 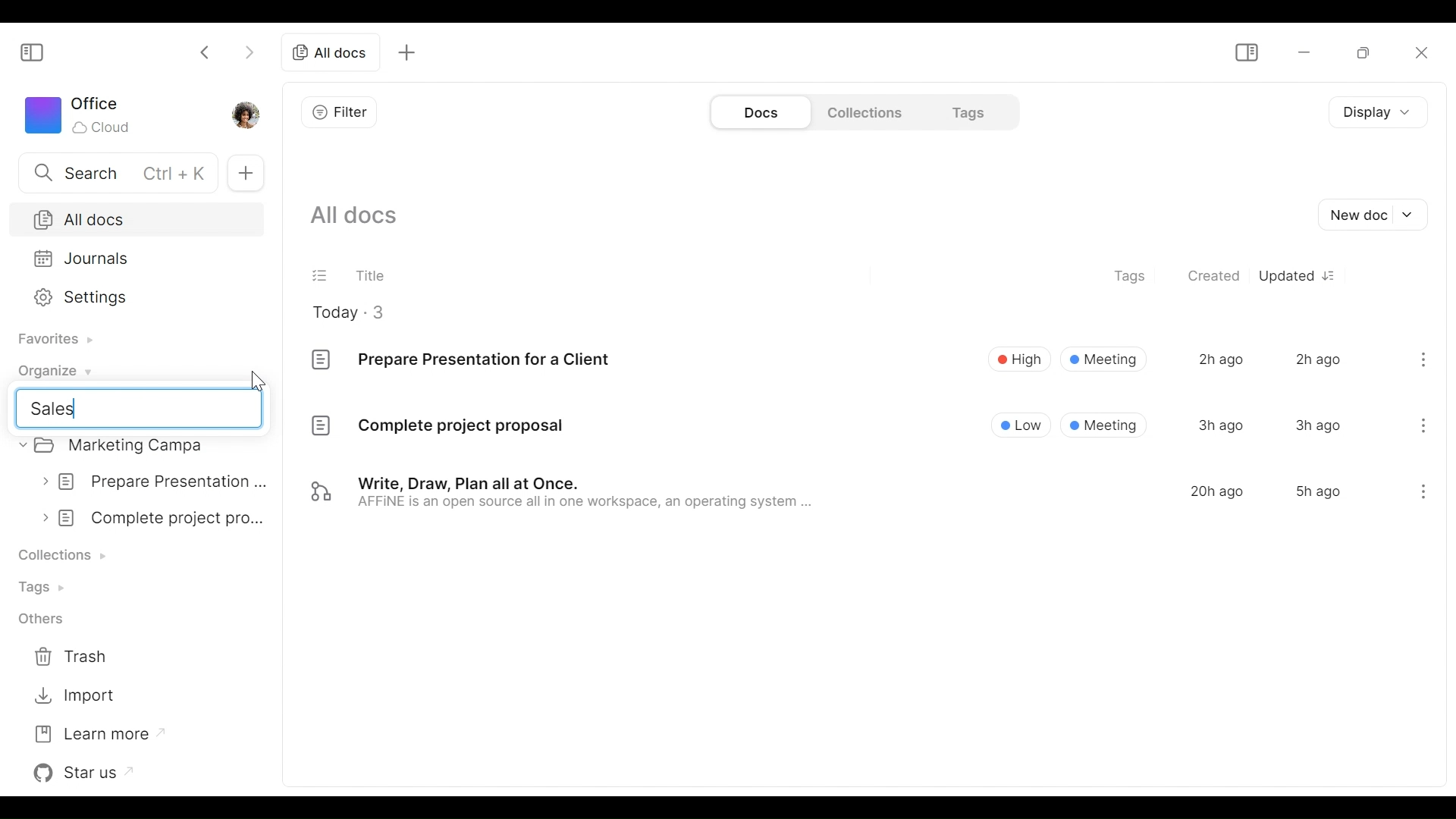 What do you see at coordinates (79, 692) in the screenshot?
I see `Import` at bounding box center [79, 692].